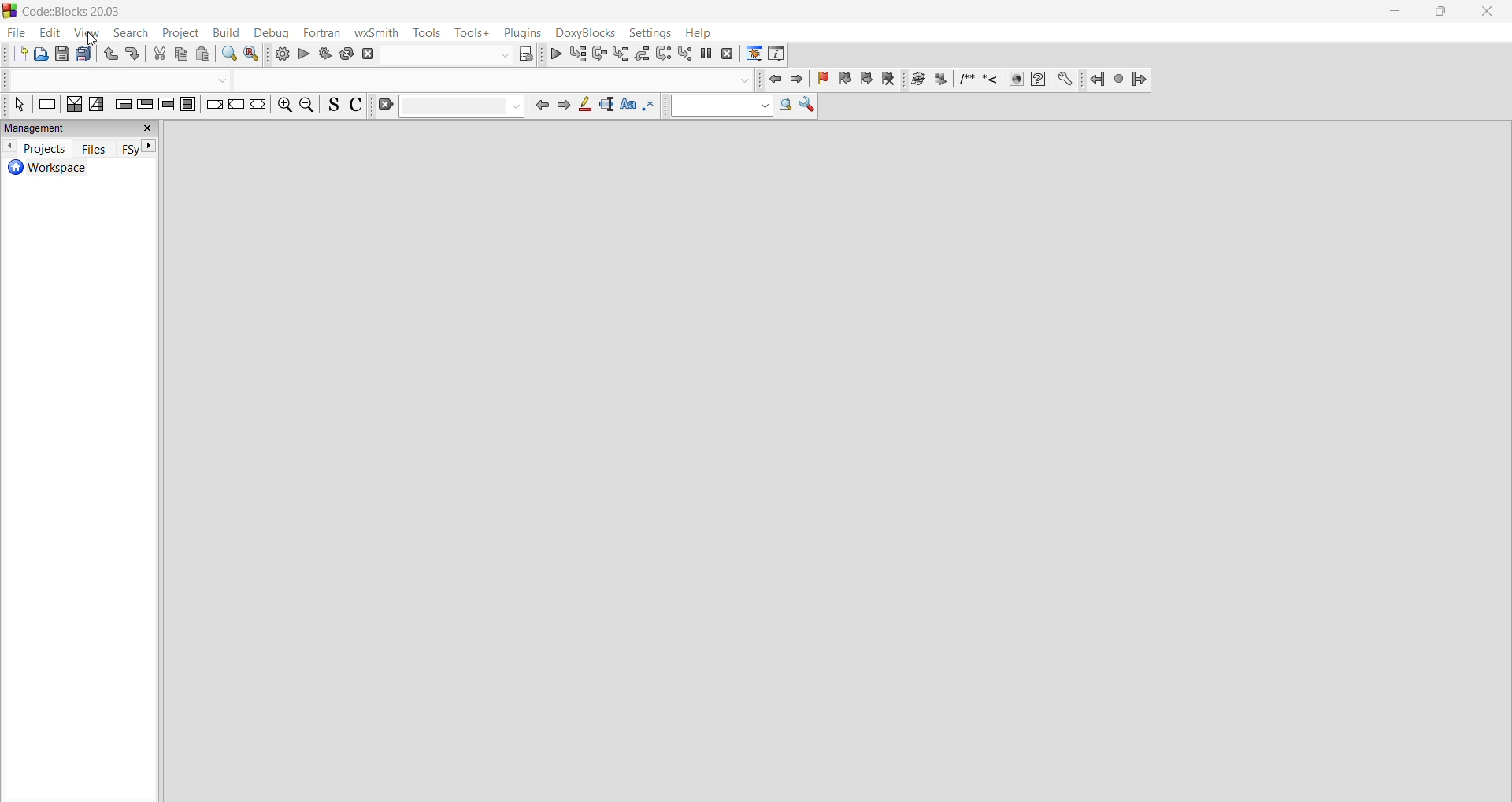 The image size is (1512, 802). I want to click on redo, so click(132, 56).